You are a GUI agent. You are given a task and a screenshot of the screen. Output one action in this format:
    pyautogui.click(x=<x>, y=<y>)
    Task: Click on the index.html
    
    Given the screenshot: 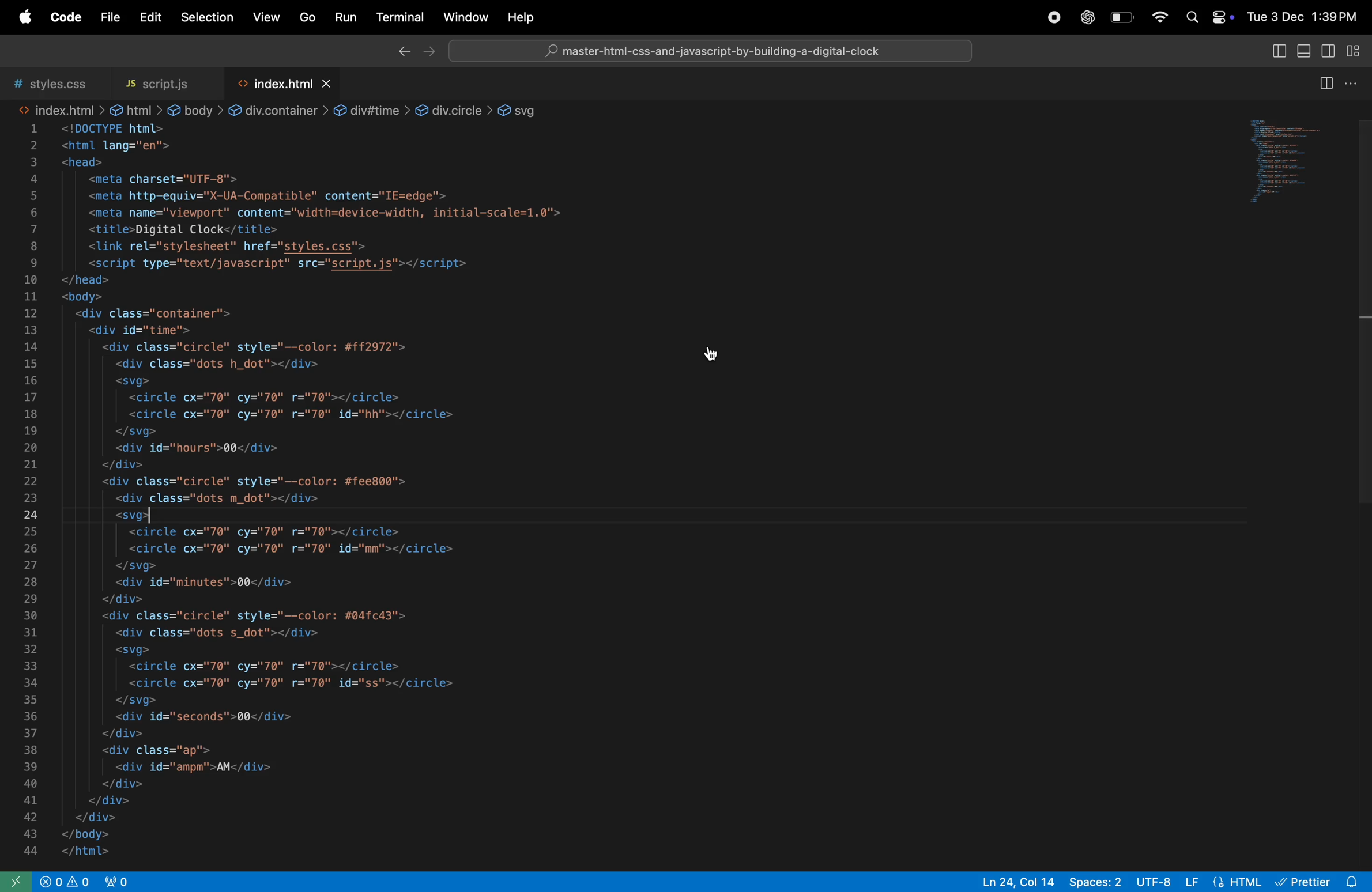 What is the action you would take?
    pyautogui.click(x=61, y=109)
    